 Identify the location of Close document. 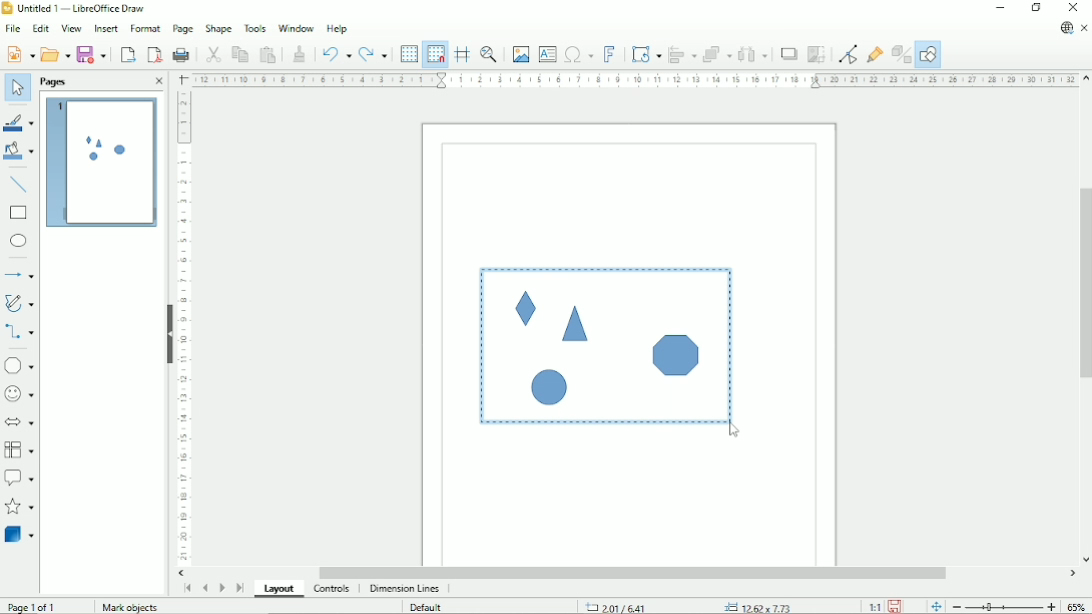
(1085, 29).